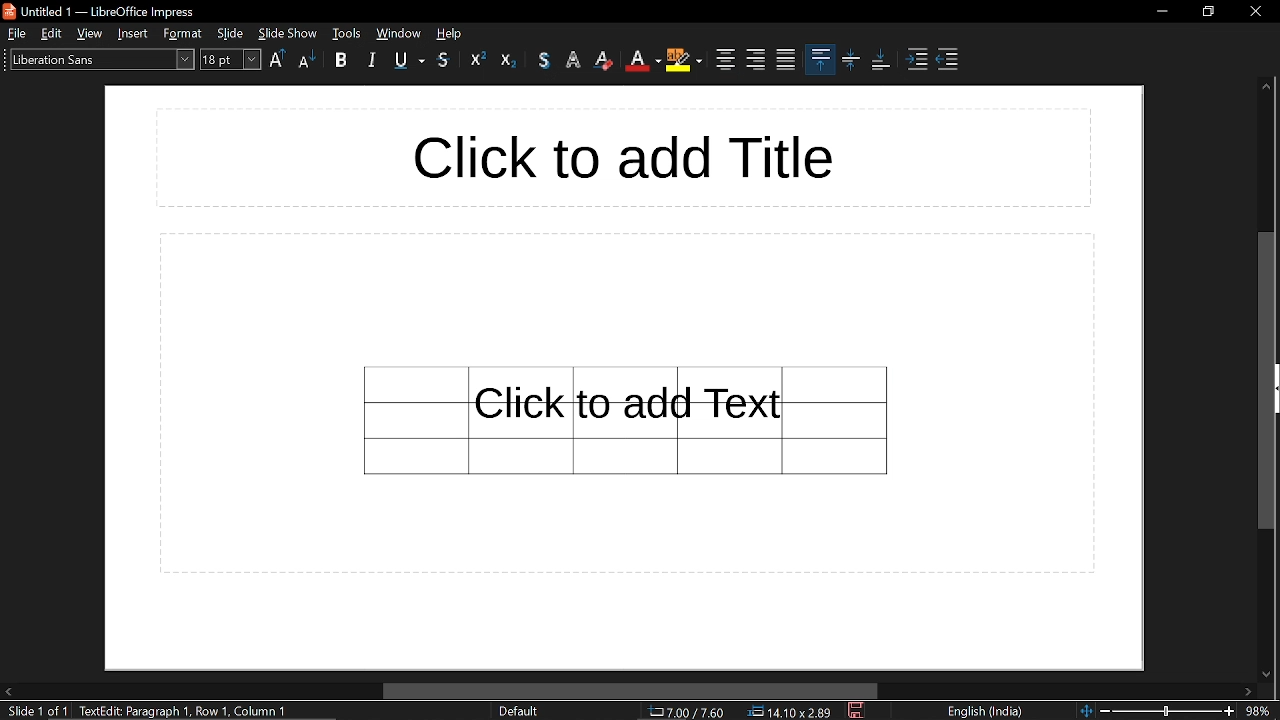 This screenshot has width=1280, height=720. What do you see at coordinates (880, 60) in the screenshot?
I see `align bottom` at bounding box center [880, 60].